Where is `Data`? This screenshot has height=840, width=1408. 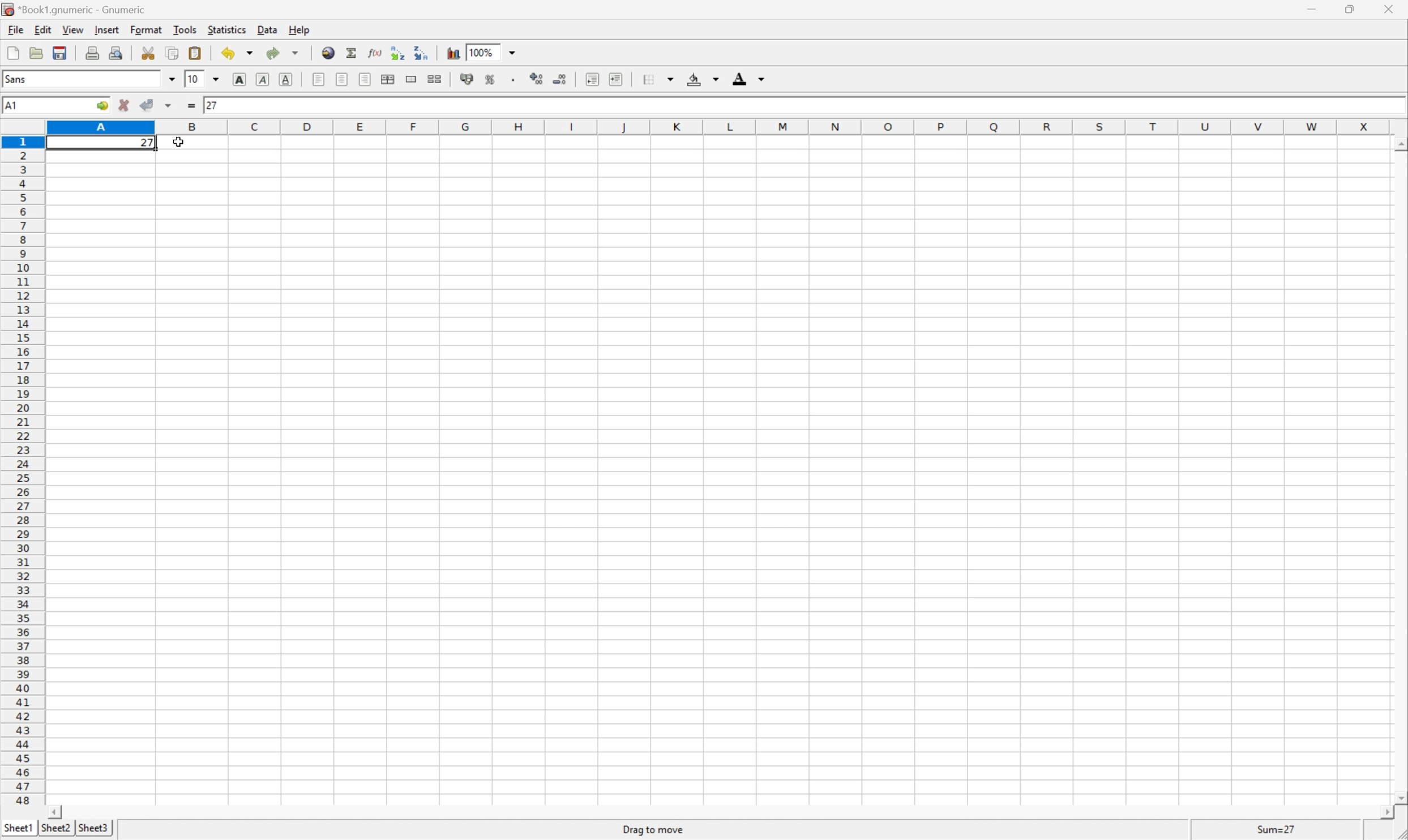 Data is located at coordinates (267, 30).